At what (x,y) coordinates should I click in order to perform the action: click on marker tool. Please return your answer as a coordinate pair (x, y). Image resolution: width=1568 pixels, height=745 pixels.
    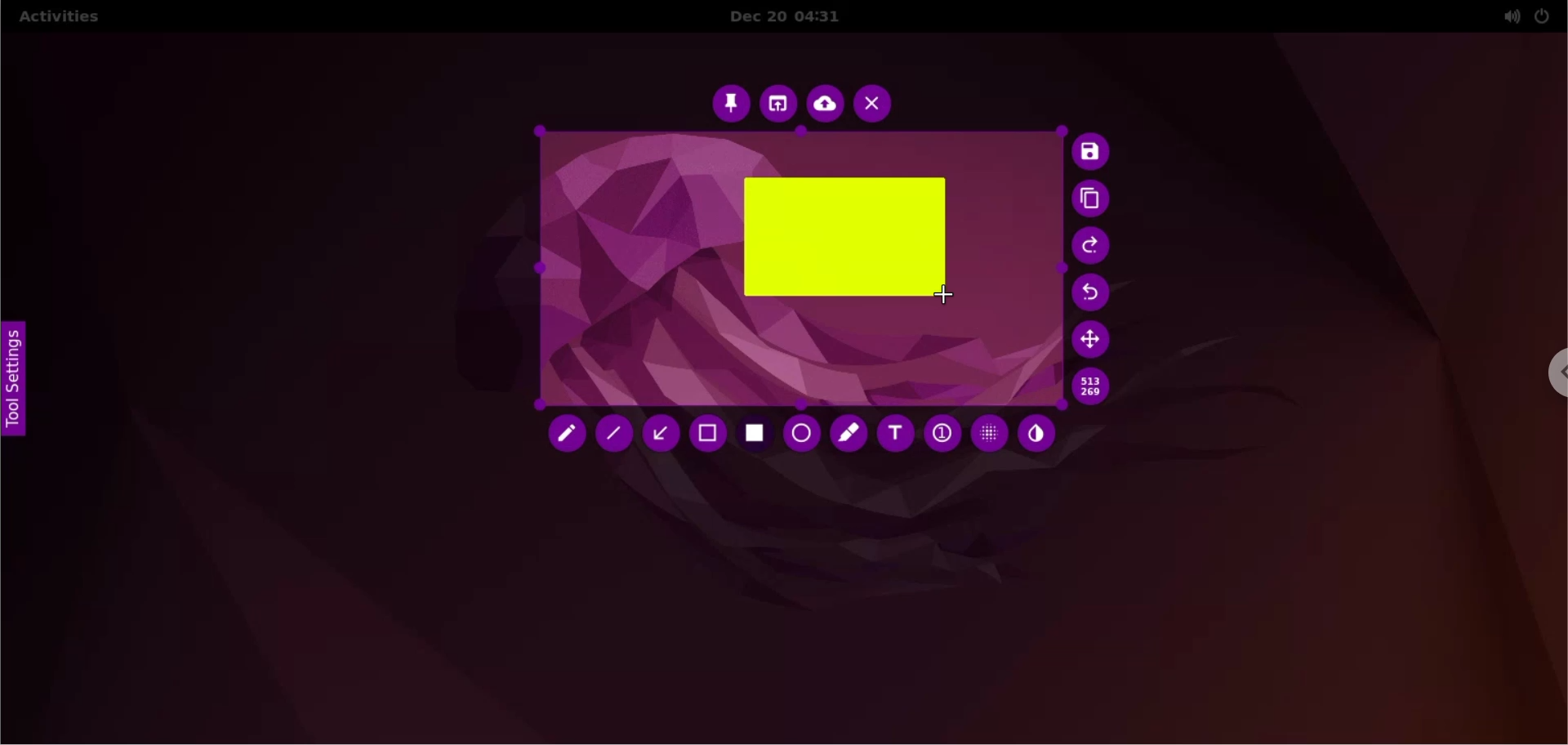
    Looking at the image, I should click on (849, 436).